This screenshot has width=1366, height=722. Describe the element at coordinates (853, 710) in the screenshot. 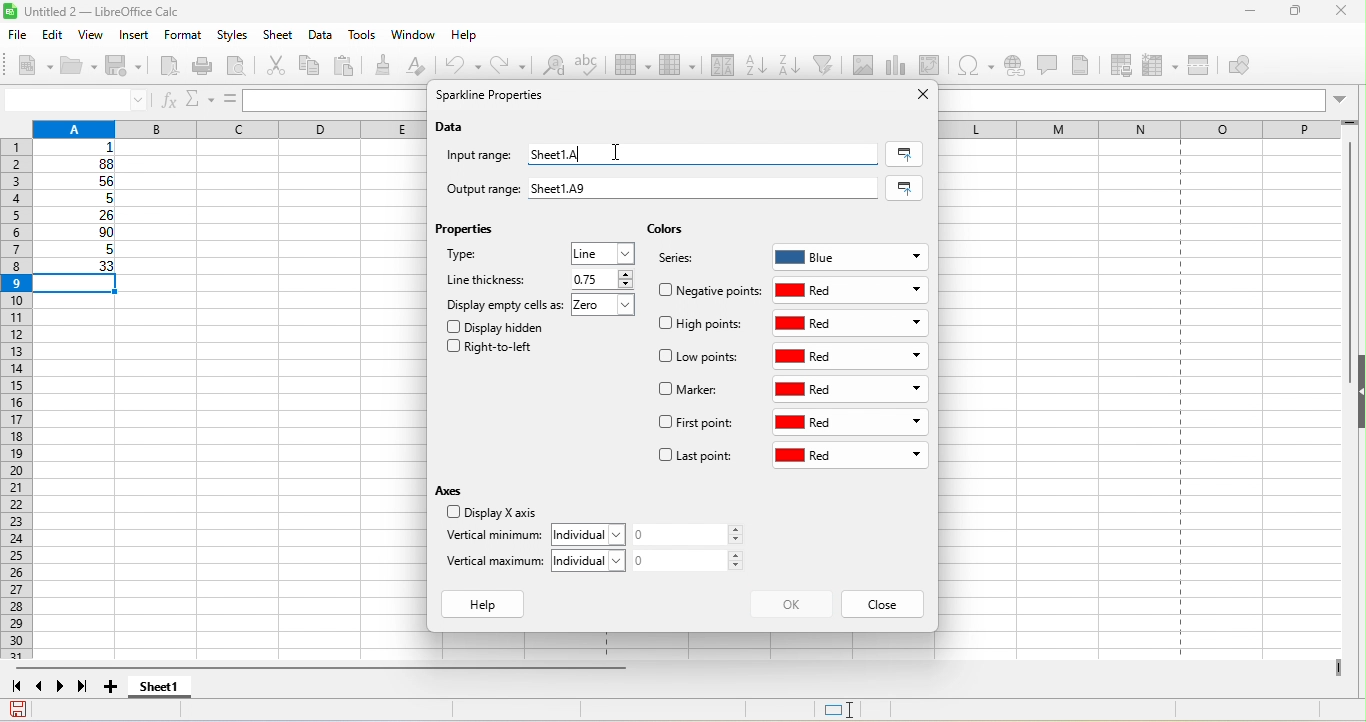

I see `standard selection` at that location.